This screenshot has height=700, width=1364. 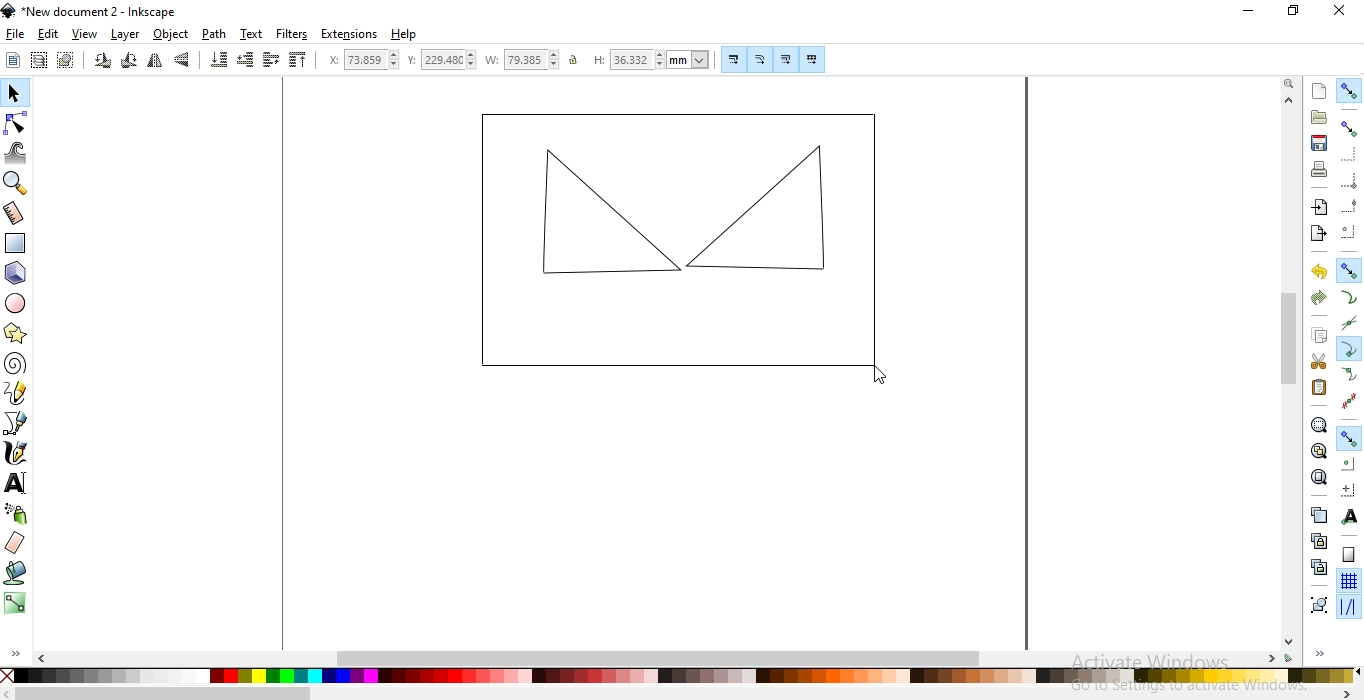 I want to click on scale stroke width by same proportion, so click(x=734, y=59).